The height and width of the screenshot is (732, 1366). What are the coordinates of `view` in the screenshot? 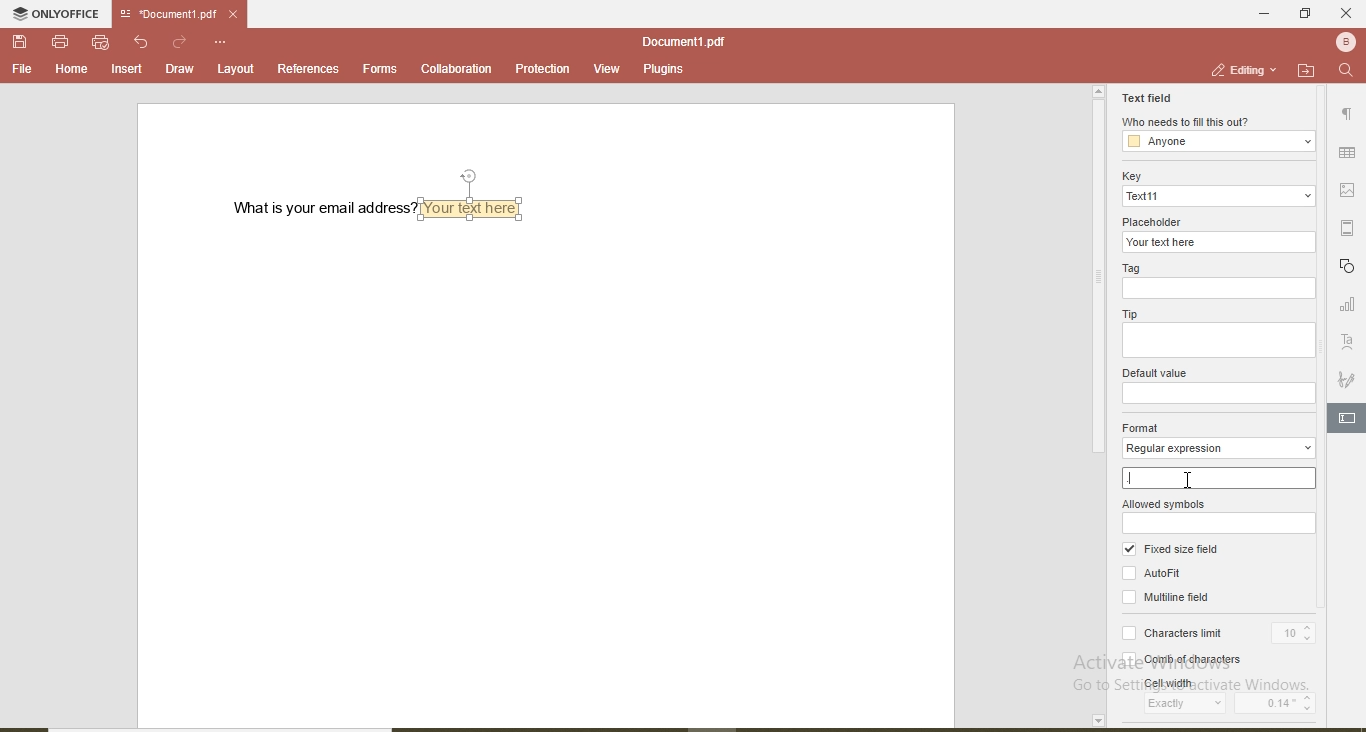 It's located at (606, 67).